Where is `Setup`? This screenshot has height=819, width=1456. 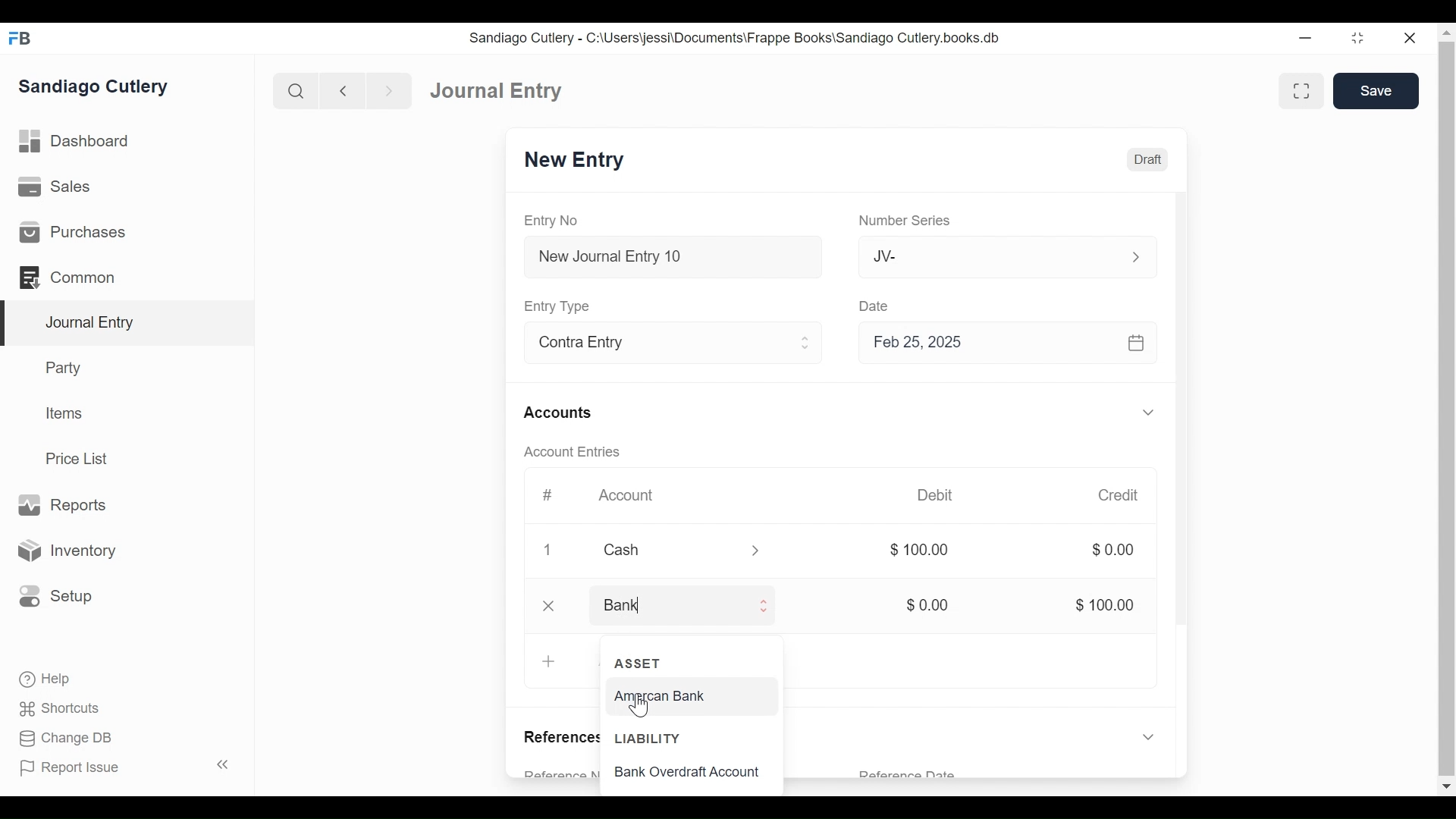
Setup is located at coordinates (56, 595).